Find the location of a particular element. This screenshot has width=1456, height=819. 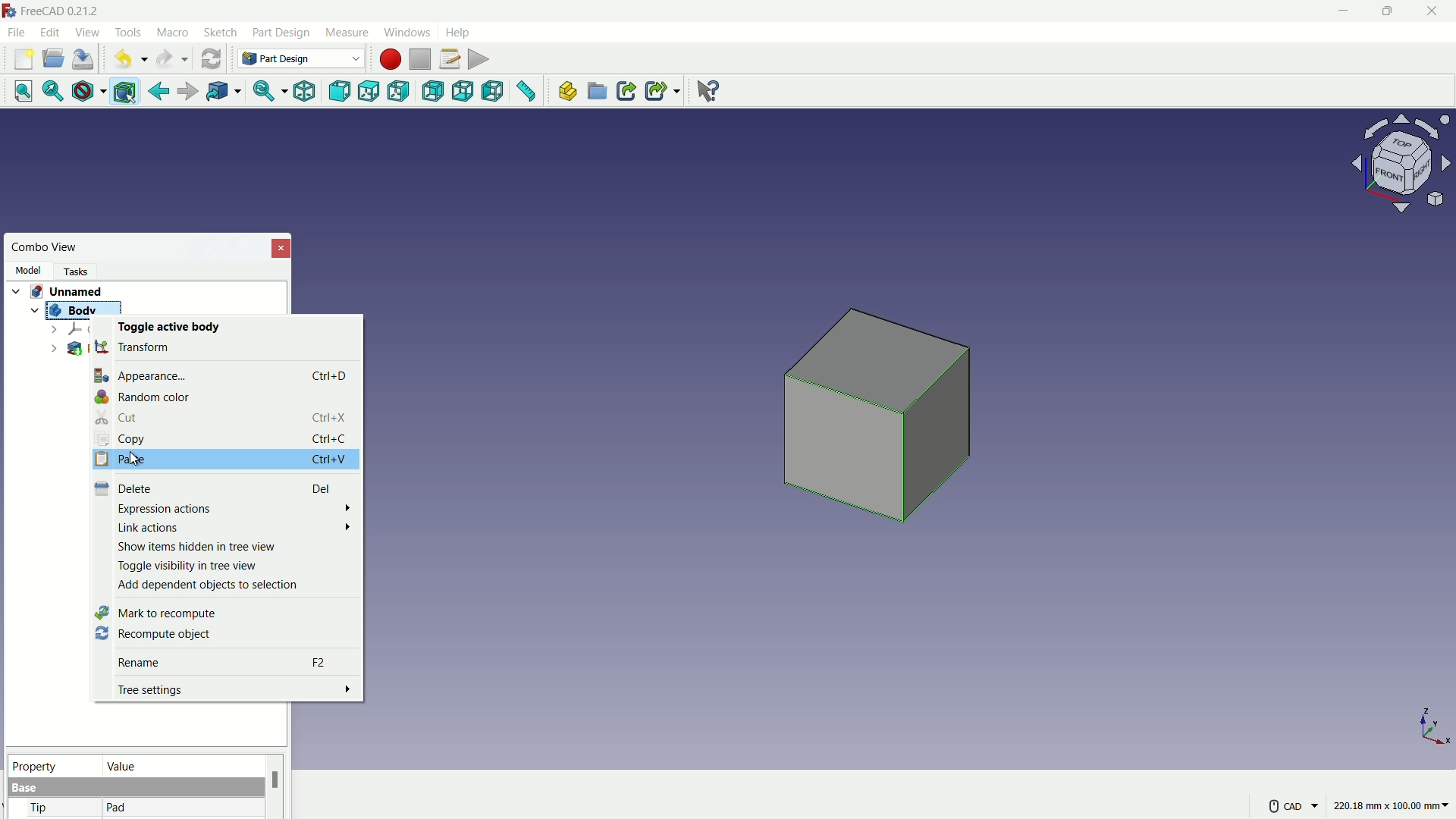

file is located at coordinates (16, 31).